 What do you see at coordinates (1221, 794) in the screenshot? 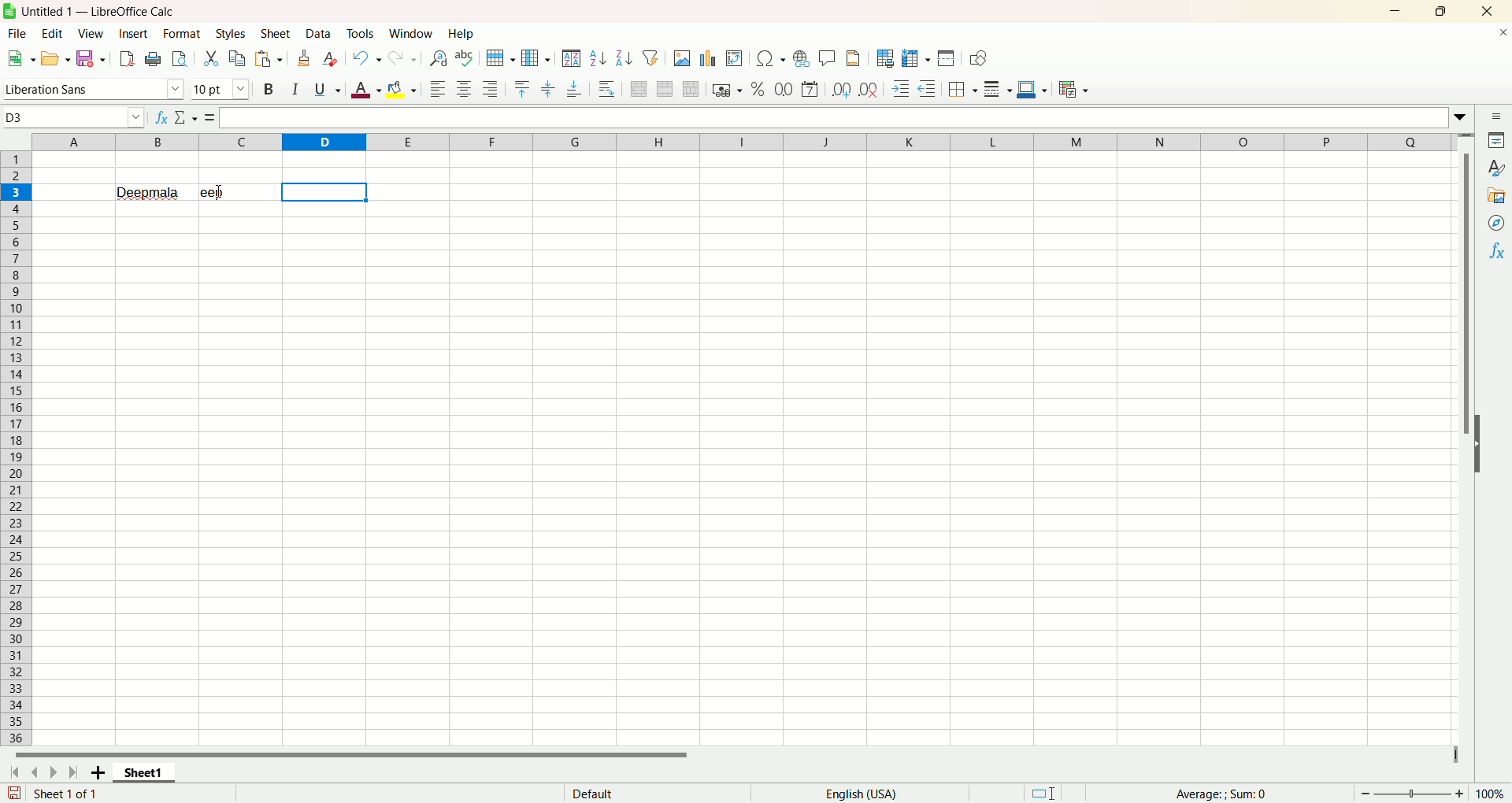
I see `Formula` at bounding box center [1221, 794].